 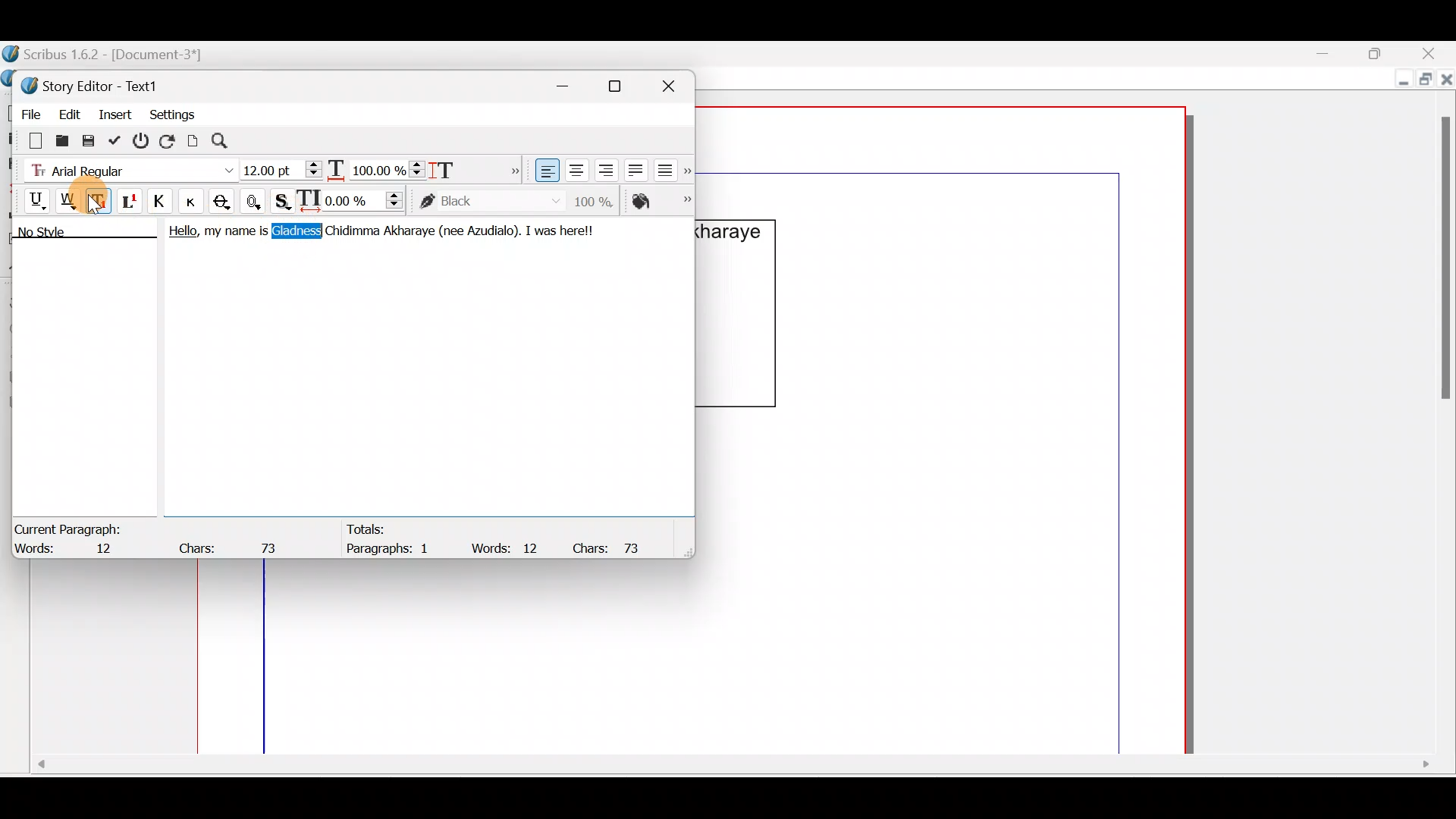 I want to click on Hello,, so click(x=179, y=234).